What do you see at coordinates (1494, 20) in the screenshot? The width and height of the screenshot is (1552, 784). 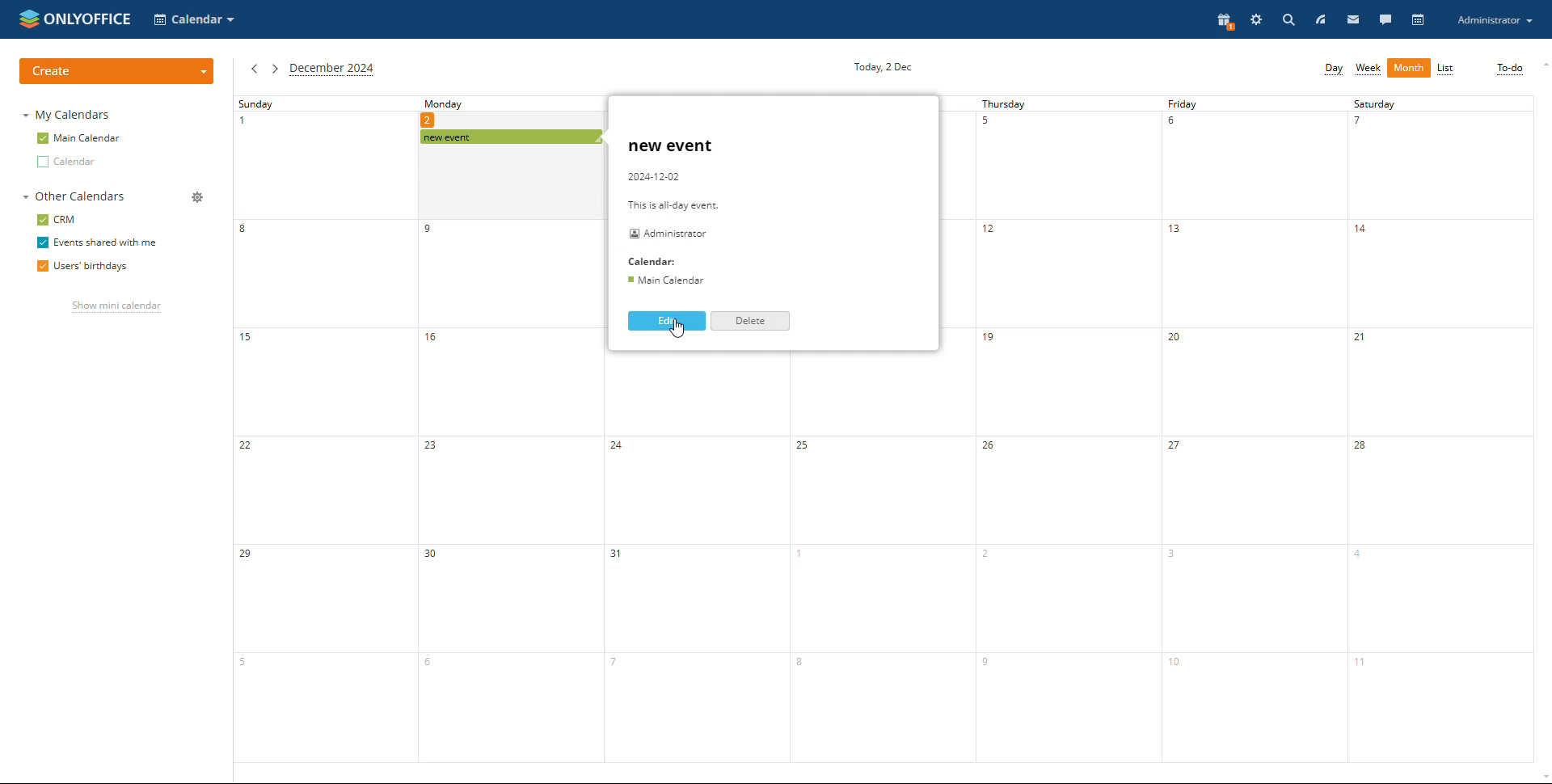 I see `account` at bounding box center [1494, 20].